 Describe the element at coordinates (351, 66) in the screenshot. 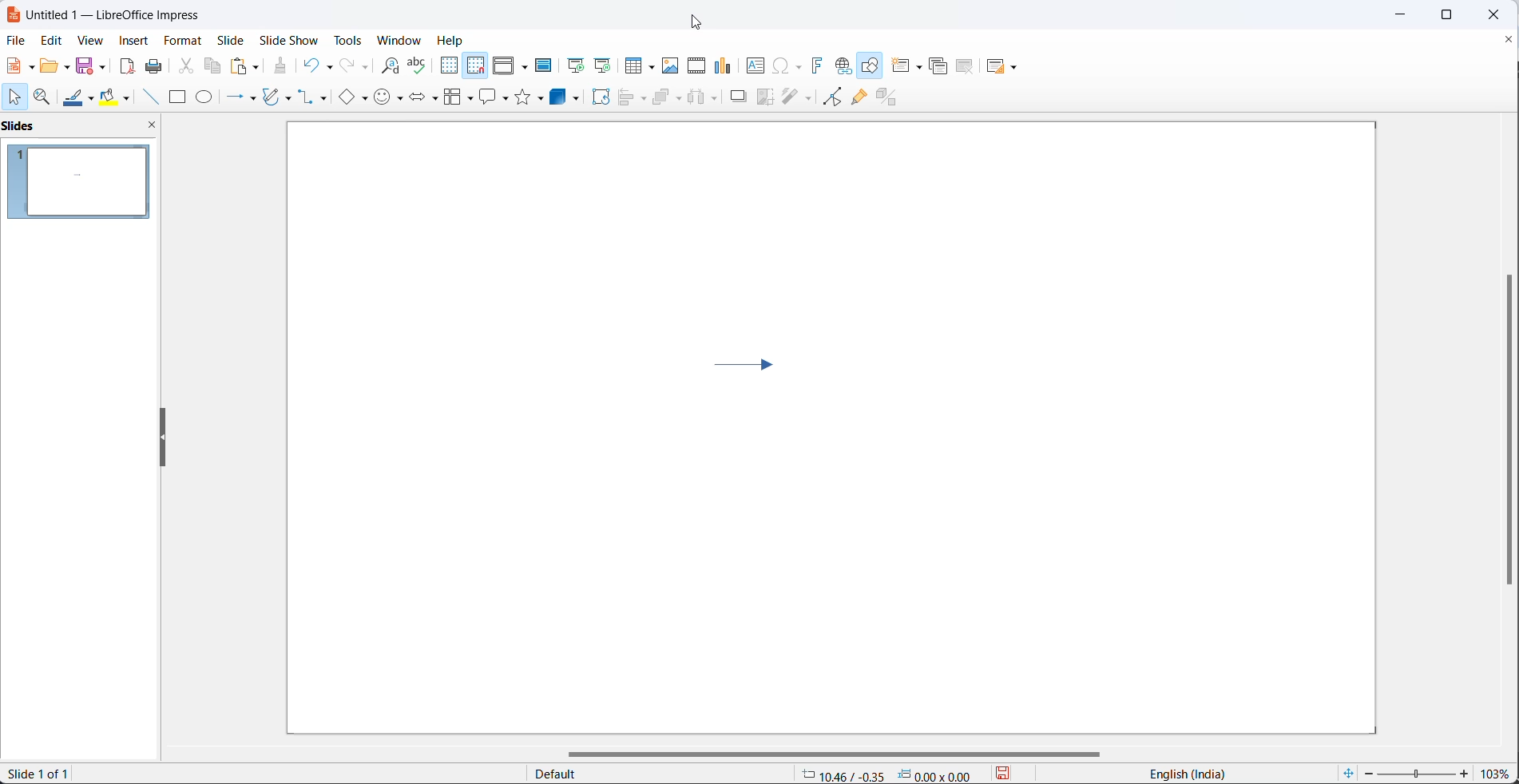

I see `redo` at that location.